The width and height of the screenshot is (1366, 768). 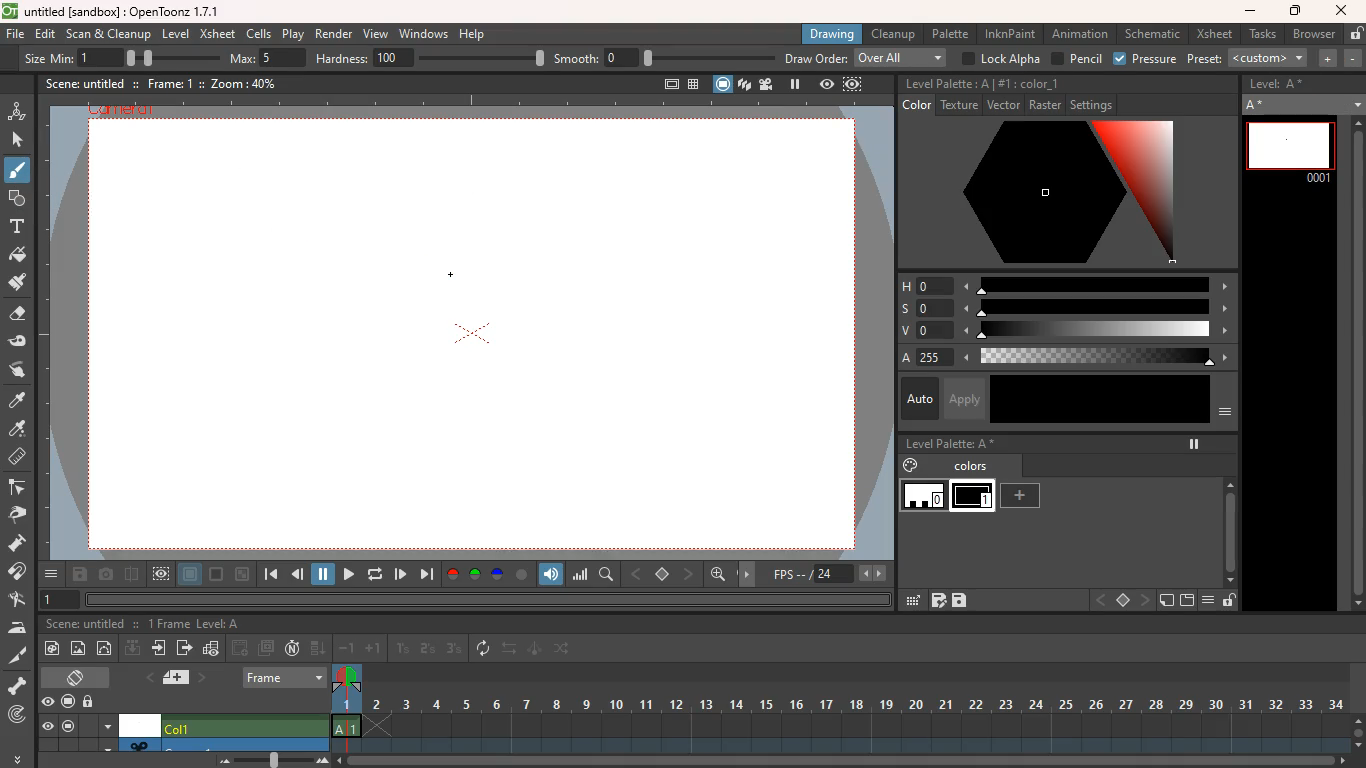 I want to click on menu, so click(x=107, y=725).